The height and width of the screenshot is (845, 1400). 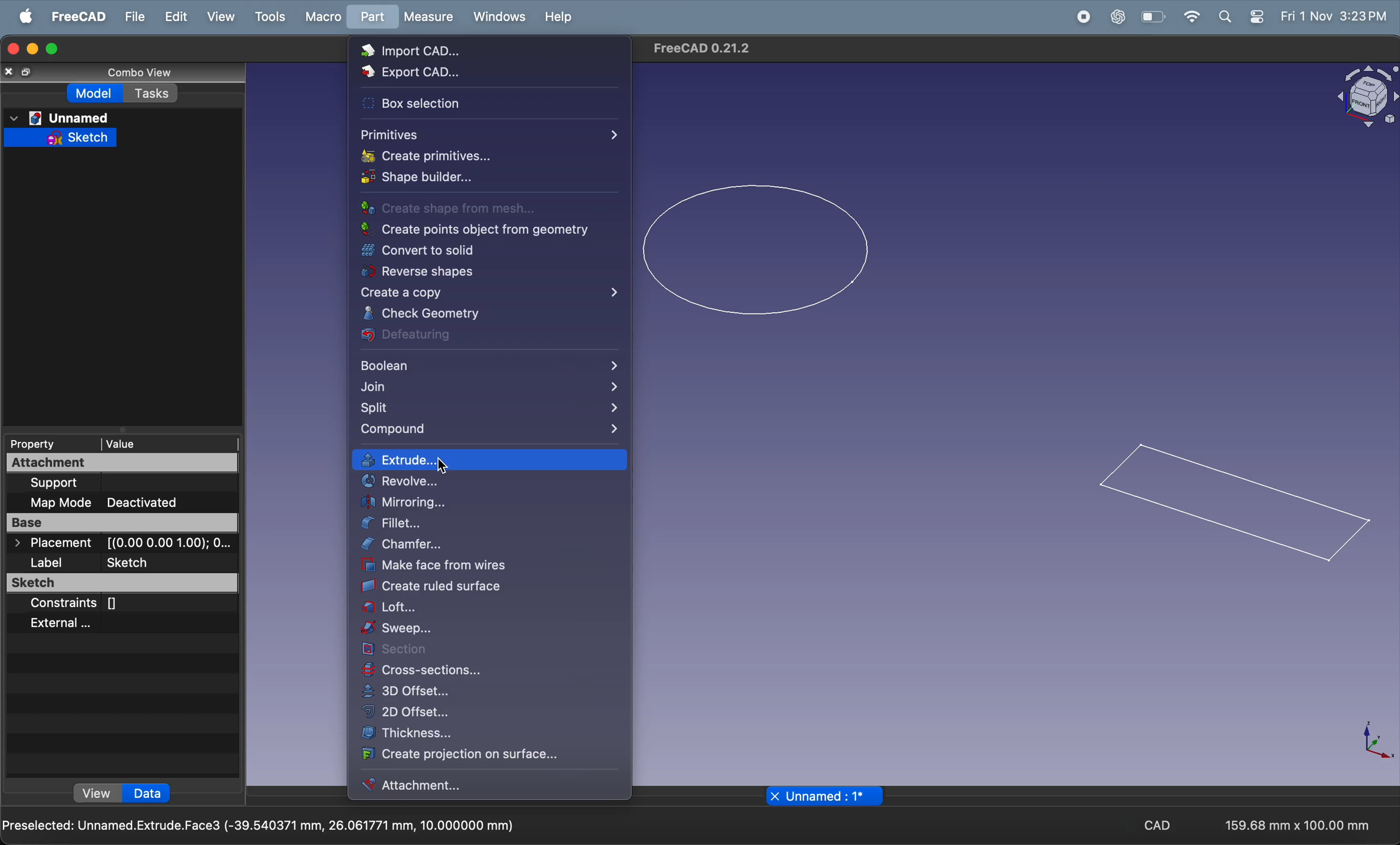 What do you see at coordinates (430, 52) in the screenshot?
I see `import Cad..` at bounding box center [430, 52].